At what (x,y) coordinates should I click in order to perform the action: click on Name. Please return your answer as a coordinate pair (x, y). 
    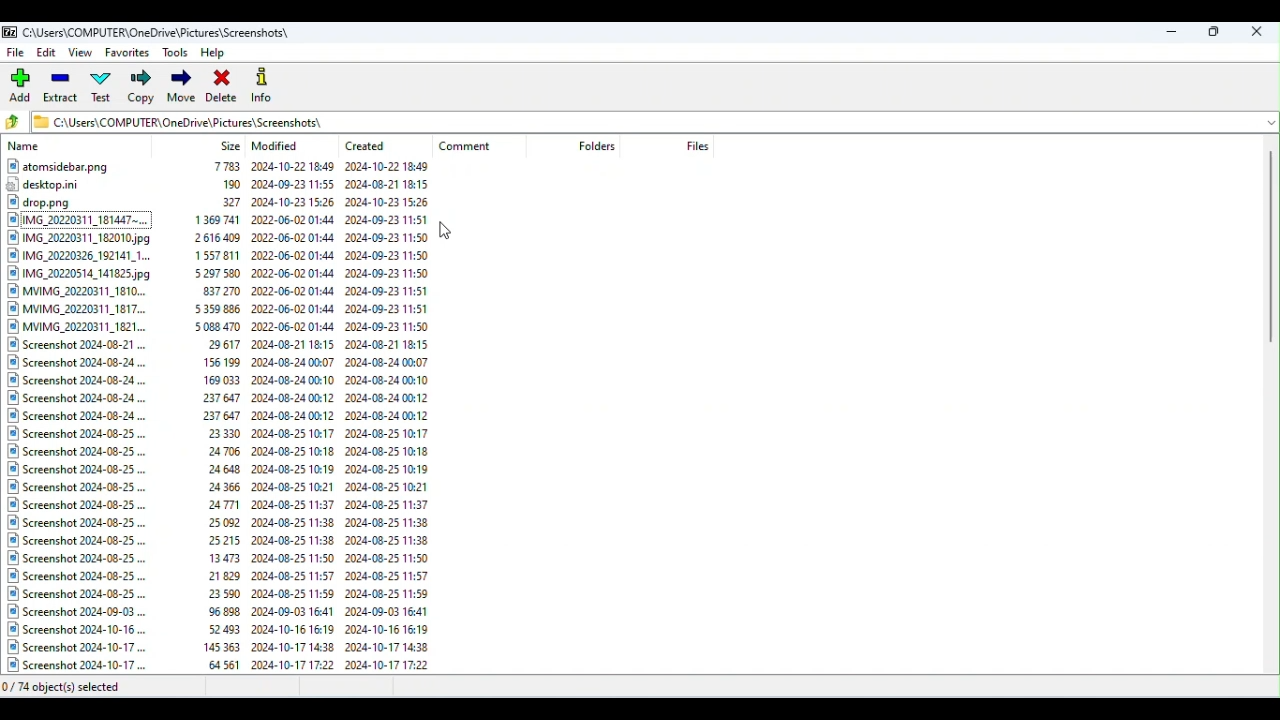
    Looking at the image, I should click on (27, 147).